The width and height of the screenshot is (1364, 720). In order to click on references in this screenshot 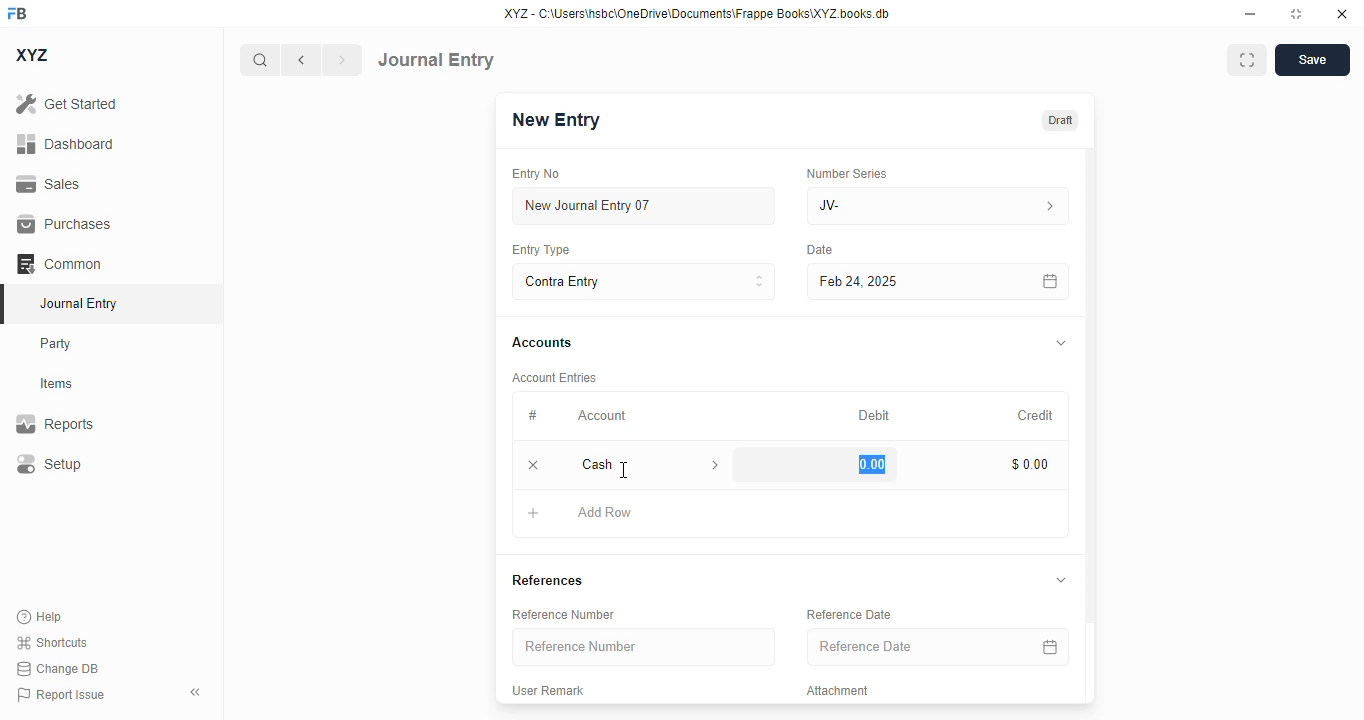, I will do `click(548, 580)`.